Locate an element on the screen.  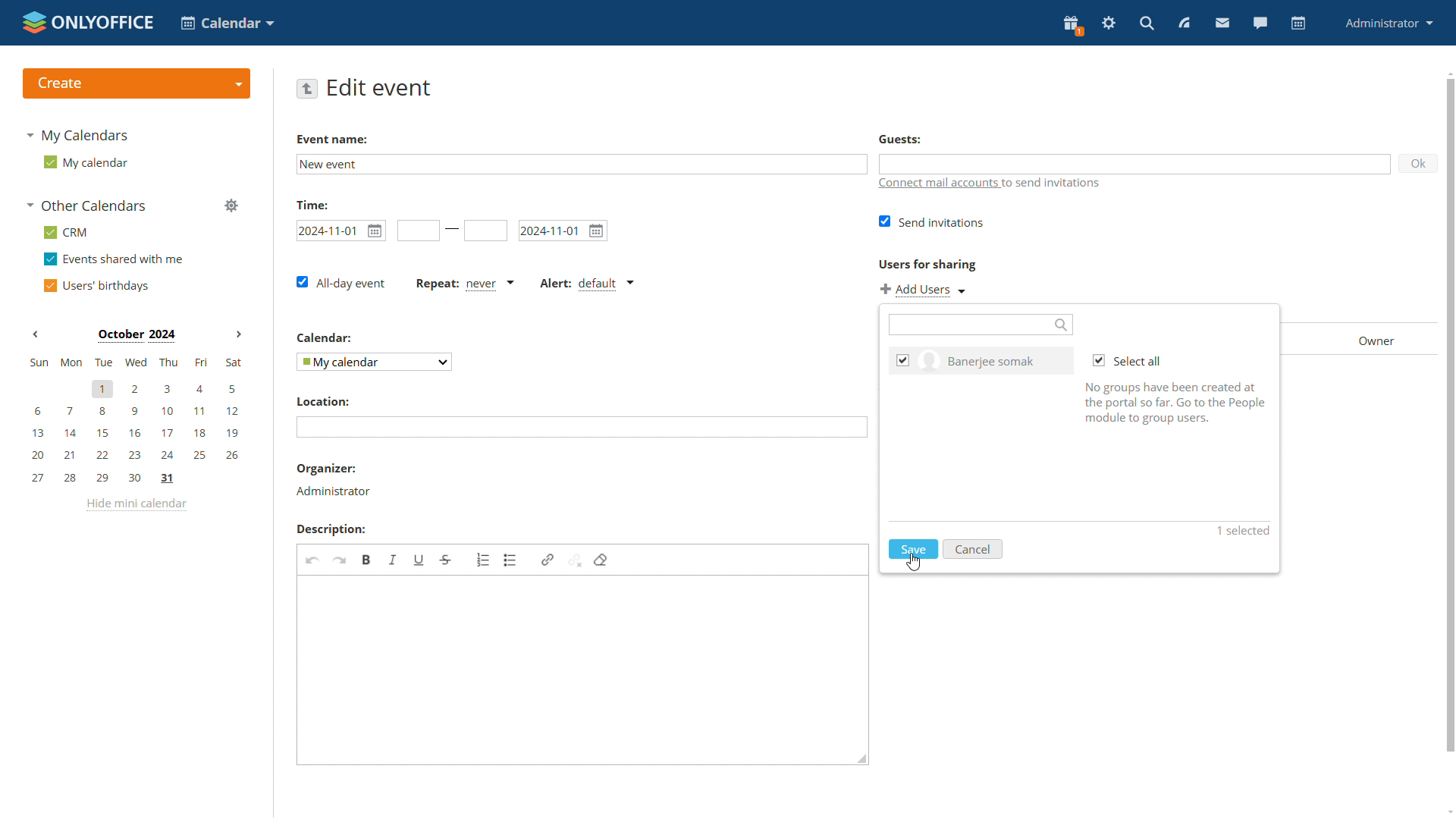
add location is located at coordinates (582, 426).